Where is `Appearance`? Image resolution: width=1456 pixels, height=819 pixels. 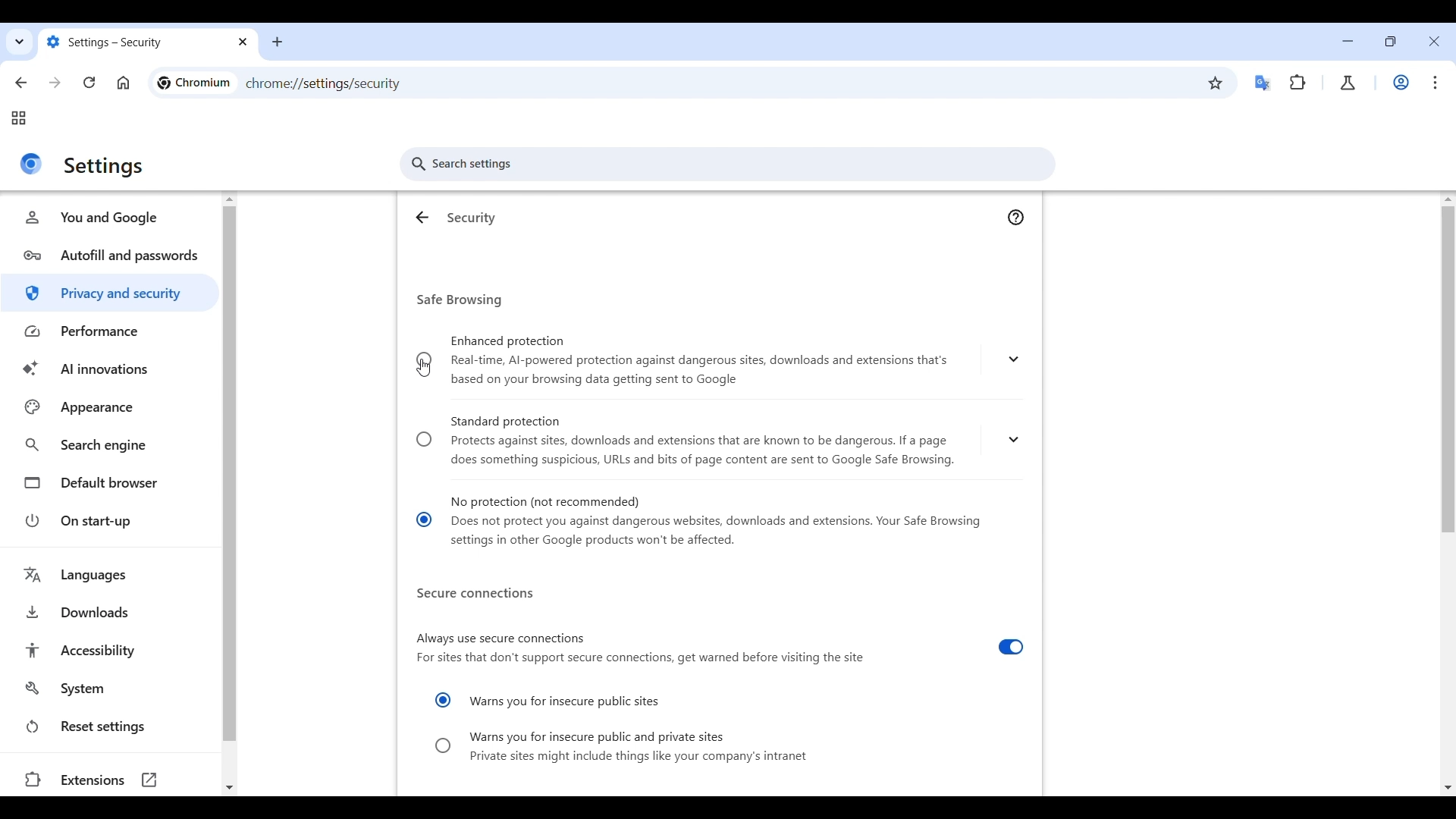
Appearance is located at coordinates (111, 406).